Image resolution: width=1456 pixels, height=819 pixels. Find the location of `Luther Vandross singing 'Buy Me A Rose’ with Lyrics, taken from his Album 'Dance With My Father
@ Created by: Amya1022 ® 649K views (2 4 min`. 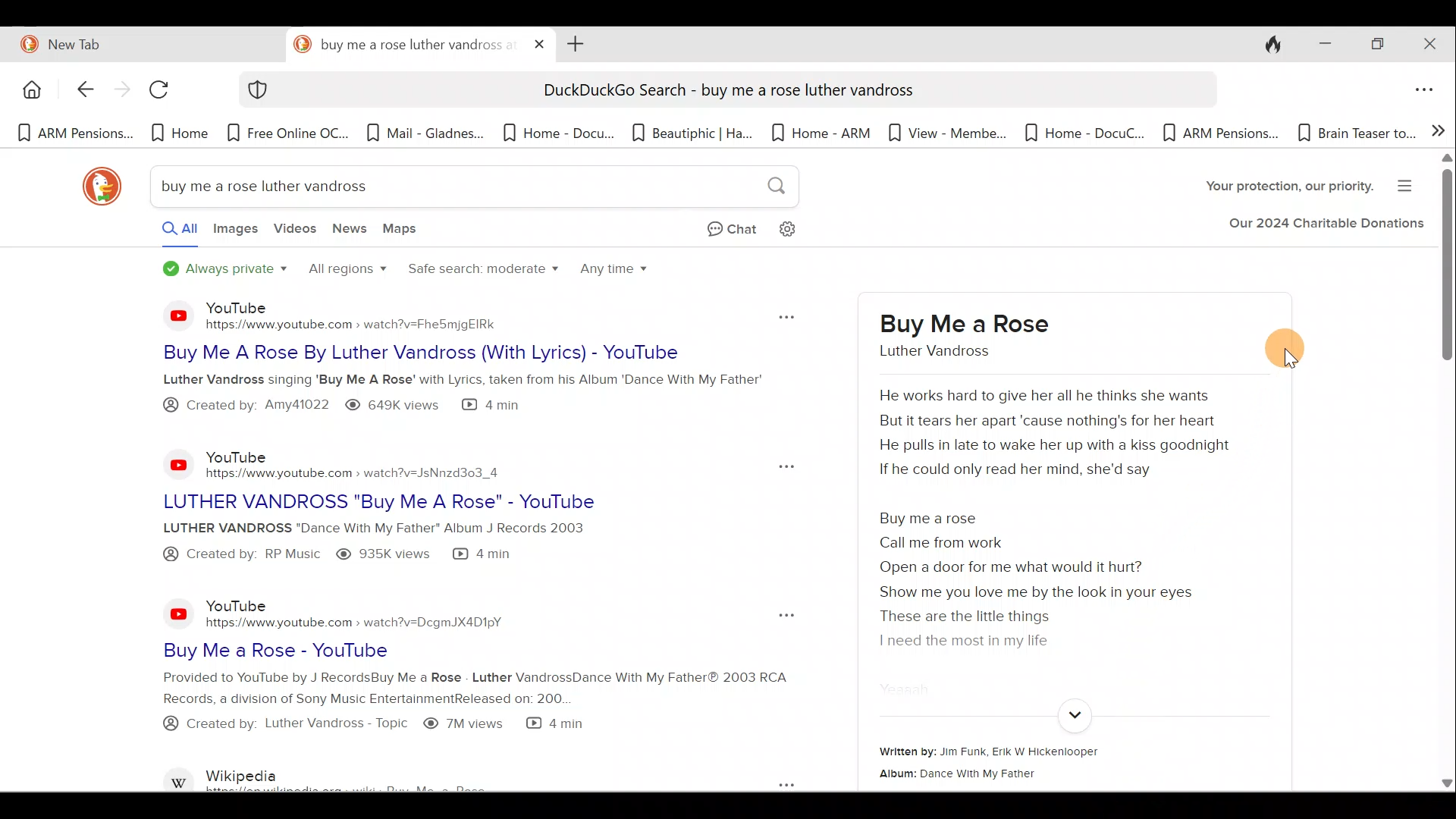

Luther Vandross singing 'Buy Me A Rose’ with Lyrics, taken from his Album 'Dance With My Father
@ Created by: Amya1022 ® 649K views (2 4 min is located at coordinates (466, 394).